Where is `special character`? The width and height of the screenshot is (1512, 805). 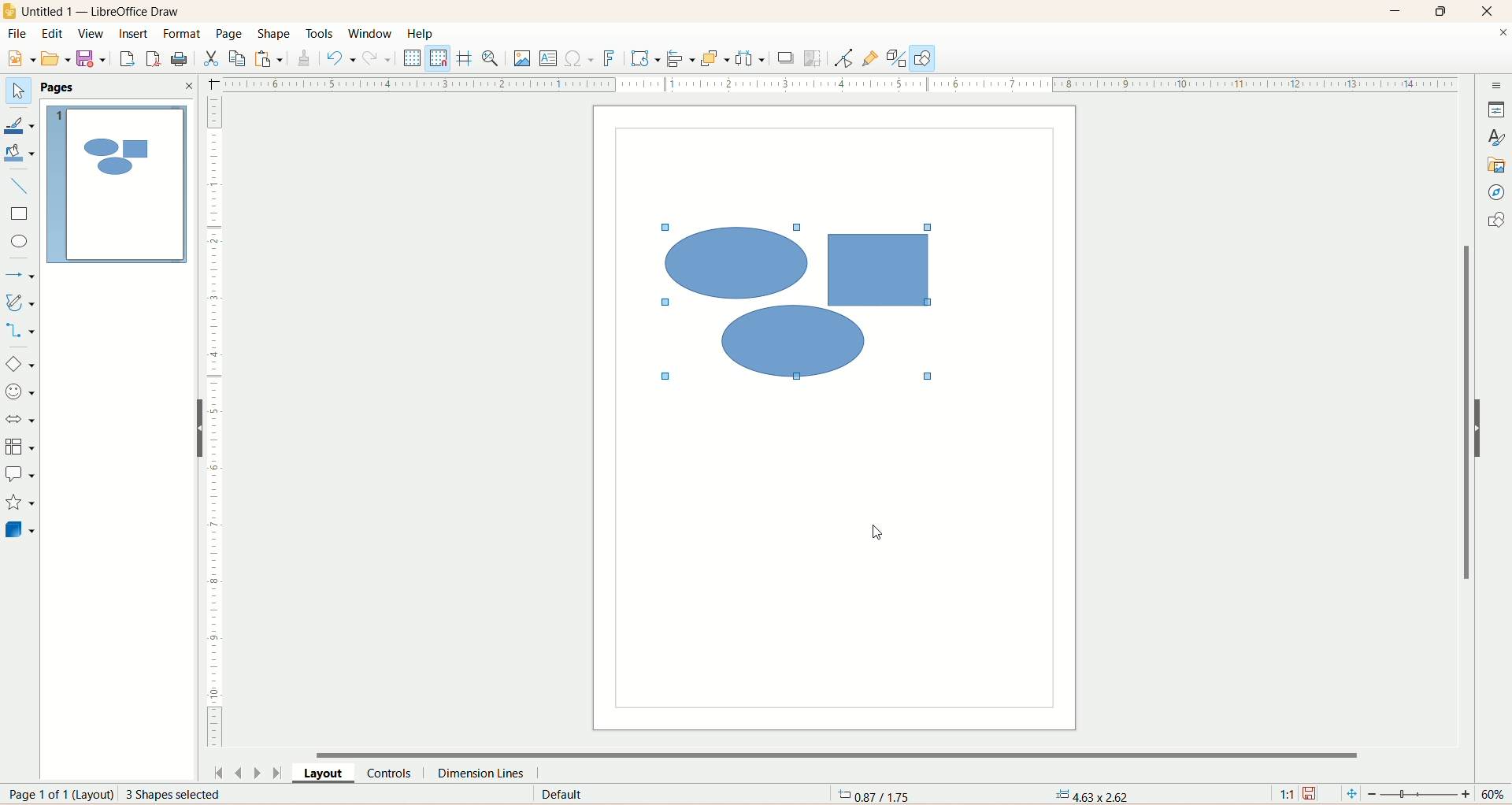 special character is located at coordinates (582, 60).